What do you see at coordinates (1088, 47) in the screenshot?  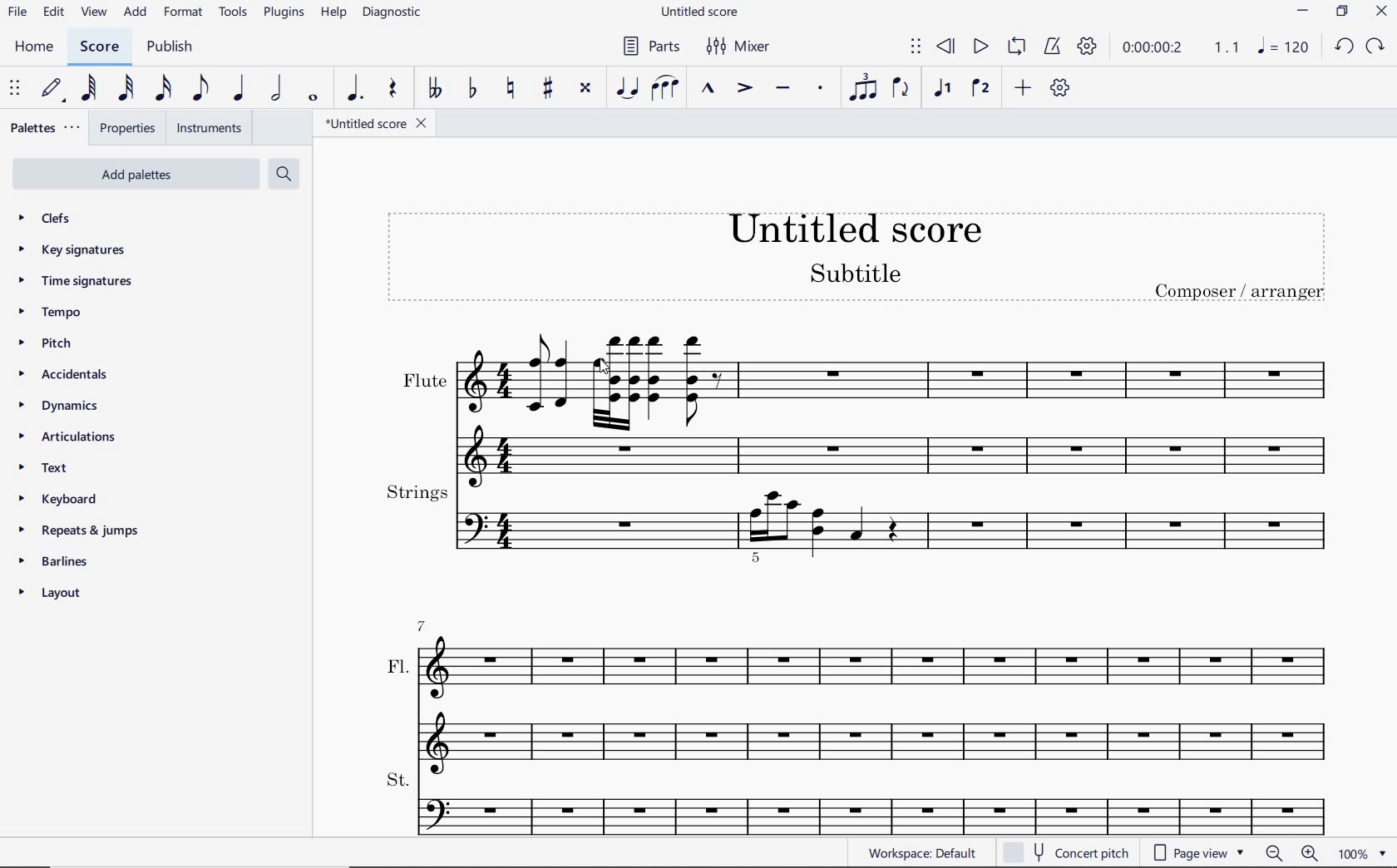 I see `PLAYBACK SETTINGS` at bounding box center [1088, 47].